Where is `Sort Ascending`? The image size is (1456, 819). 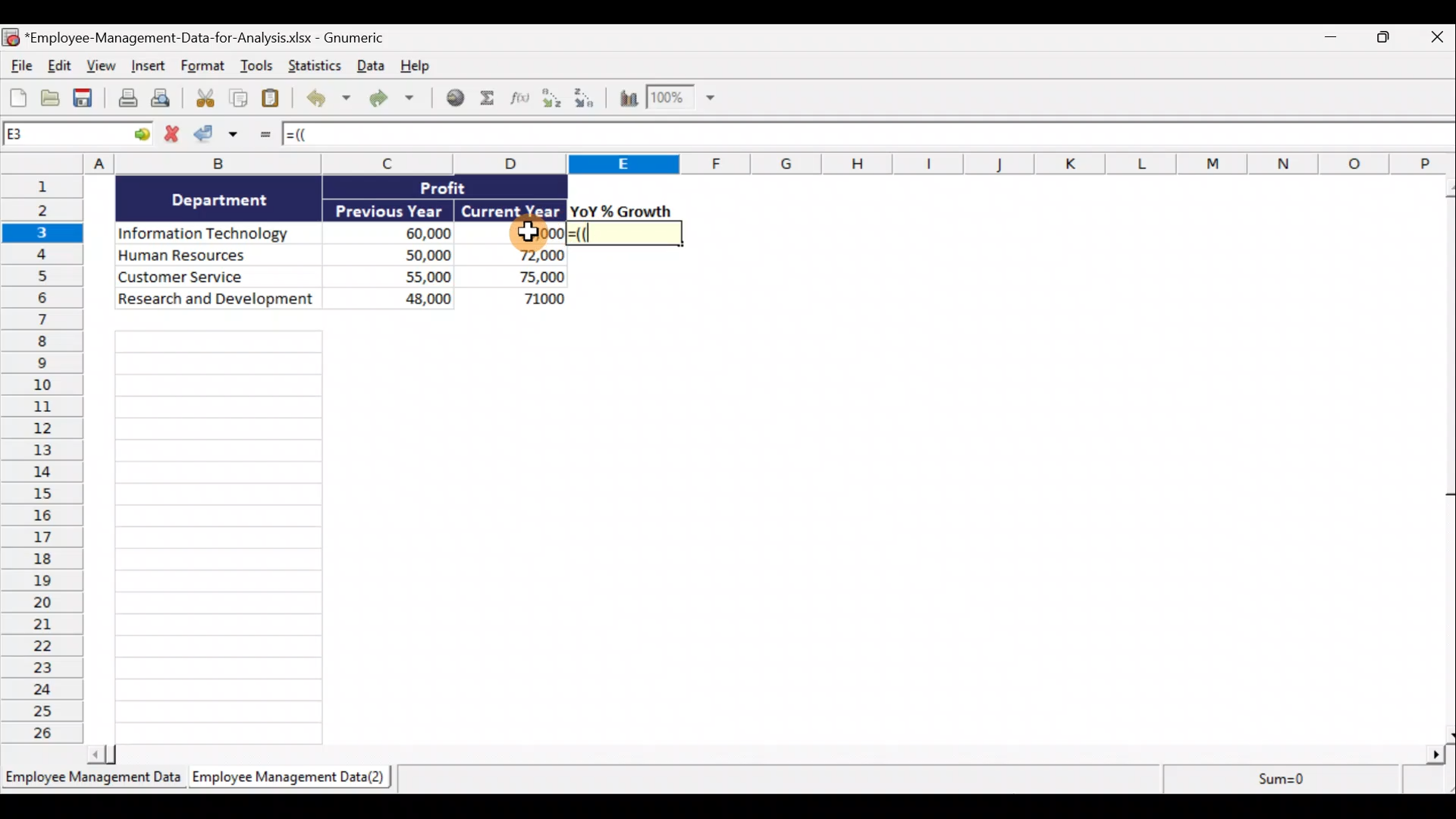 Sort Ascending is located at coordinates (553, 100).